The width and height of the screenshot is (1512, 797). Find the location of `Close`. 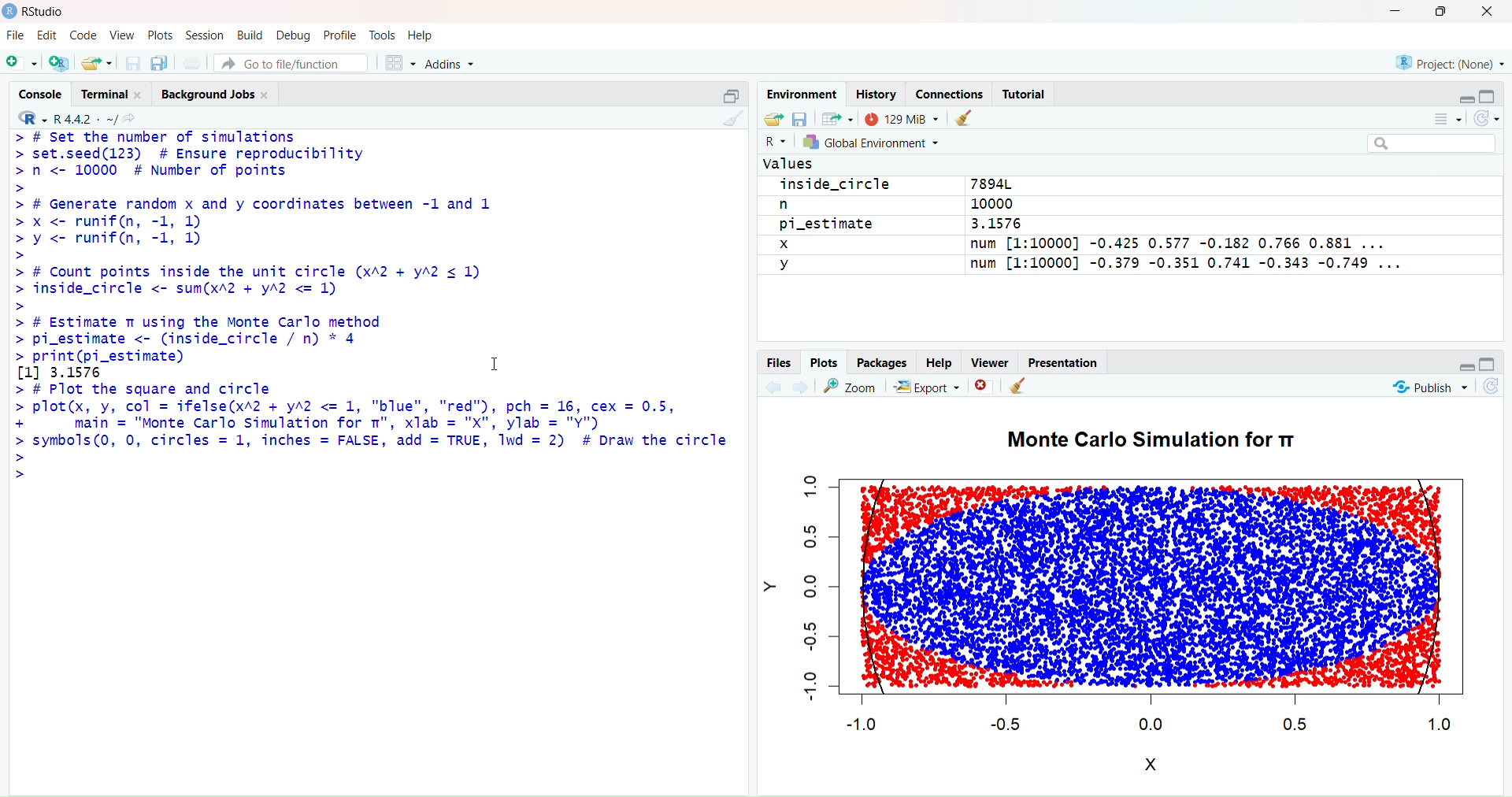

Close is located at coordinates (1487, 12).